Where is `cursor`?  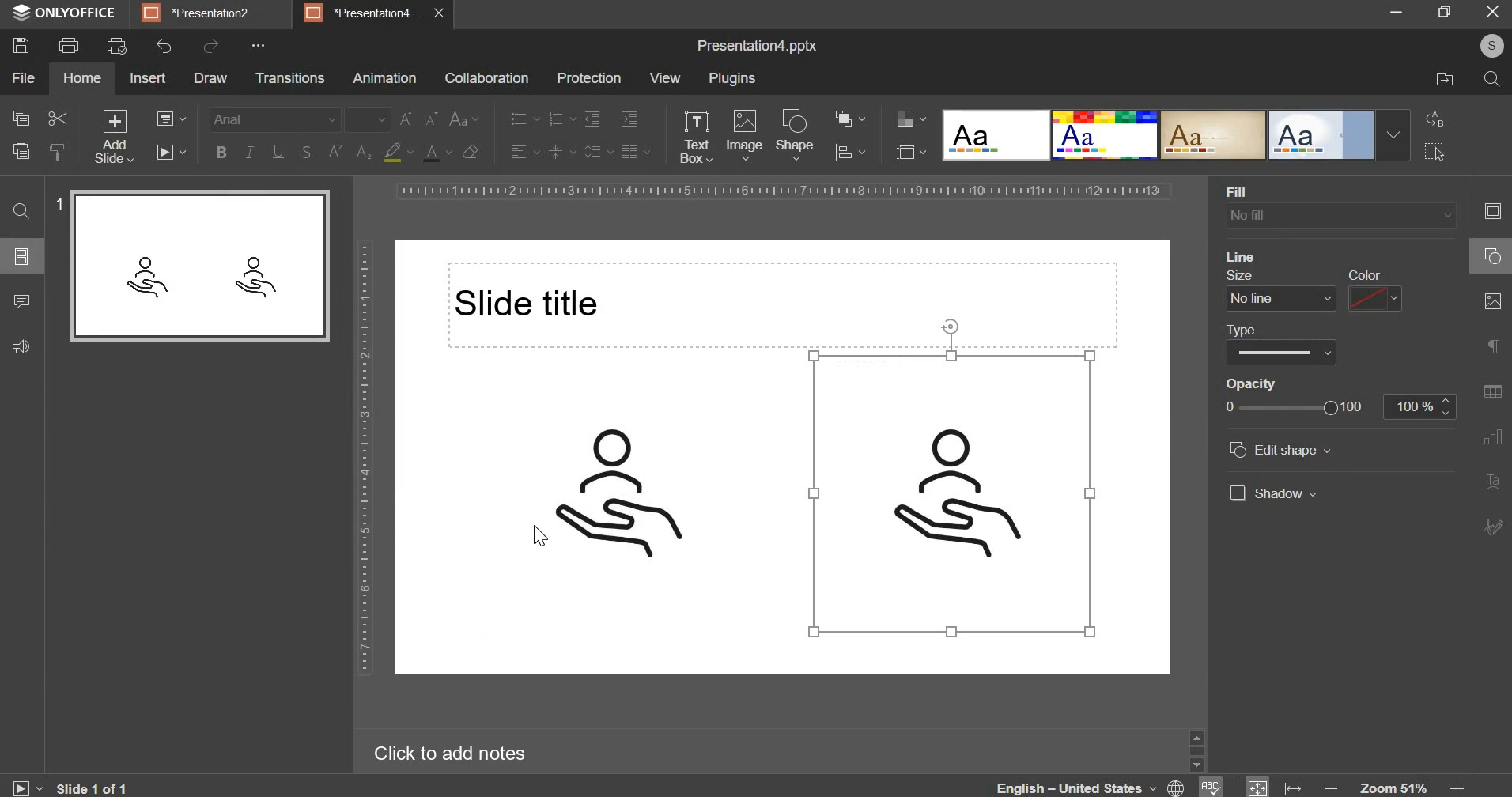
cursor is located at coordinates (536, 537).